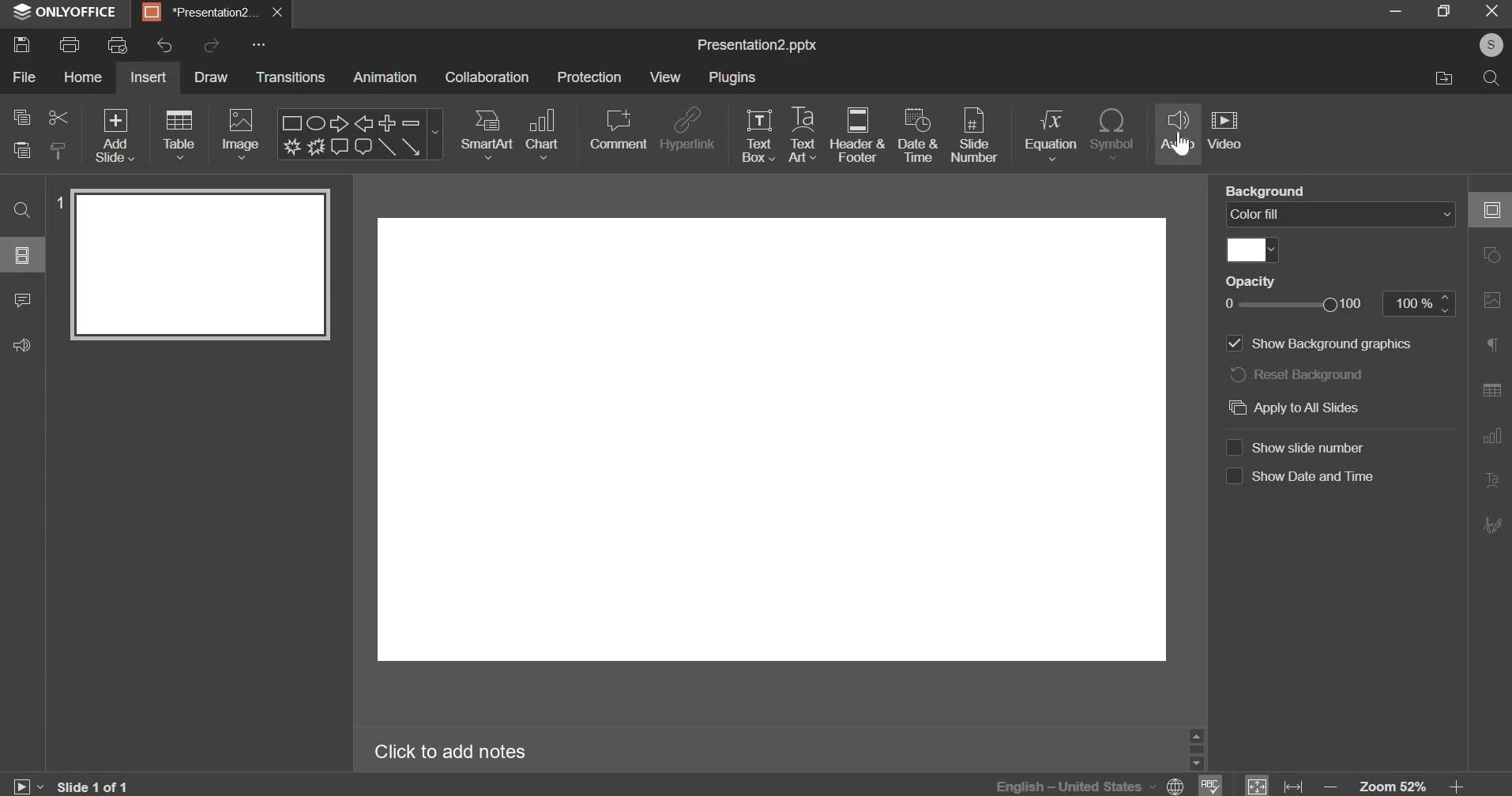 The height and width of the screenshot is (796, 1512). Describe the element at coordinates (1196, 764) in the screenshot. I see `scroll down` at that location.